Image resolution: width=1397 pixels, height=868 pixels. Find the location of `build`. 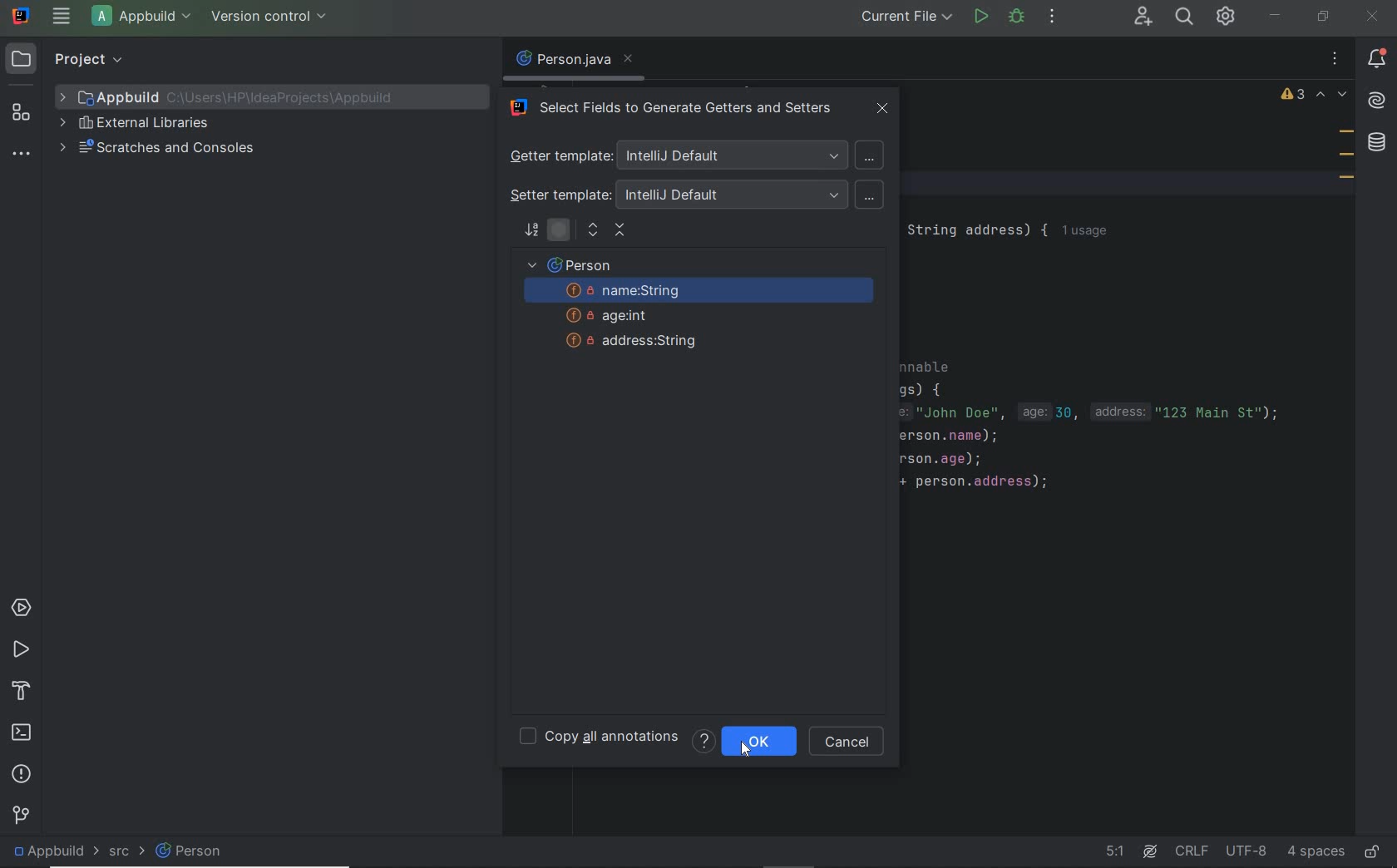

build is located at coordinates (22, 688).